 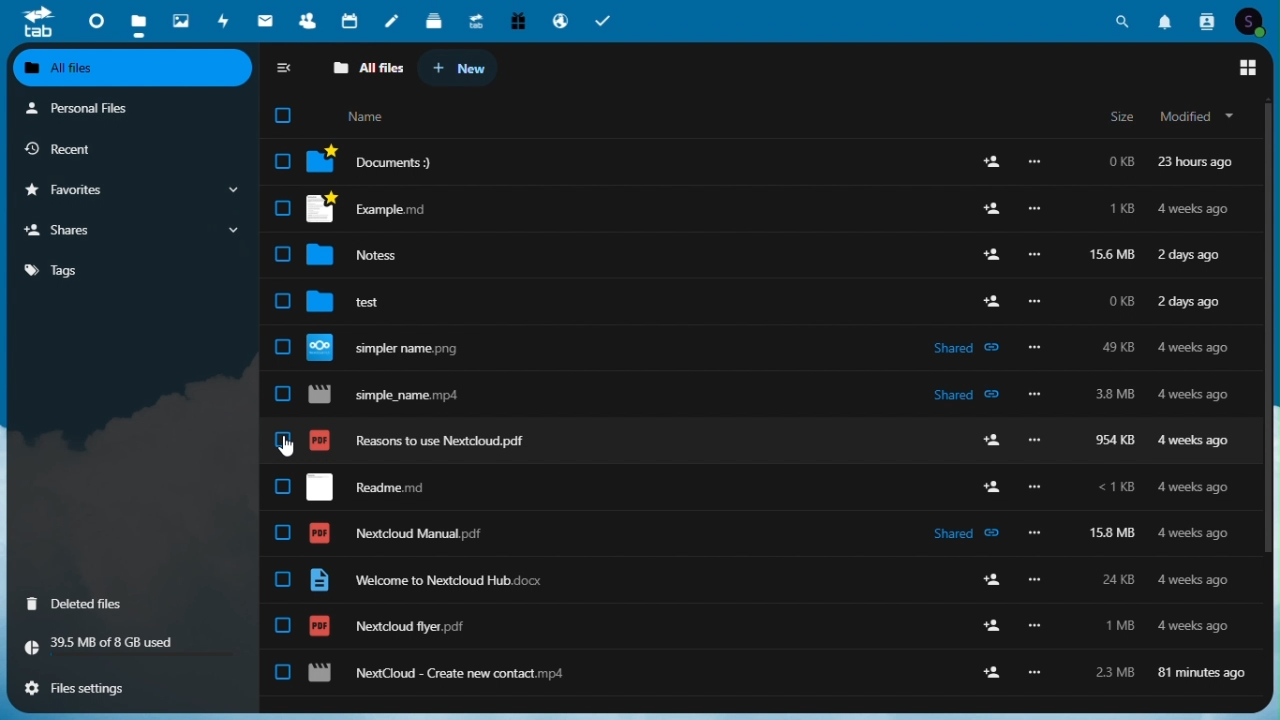 I want to click on checkbox, so click(x=284, y=579).